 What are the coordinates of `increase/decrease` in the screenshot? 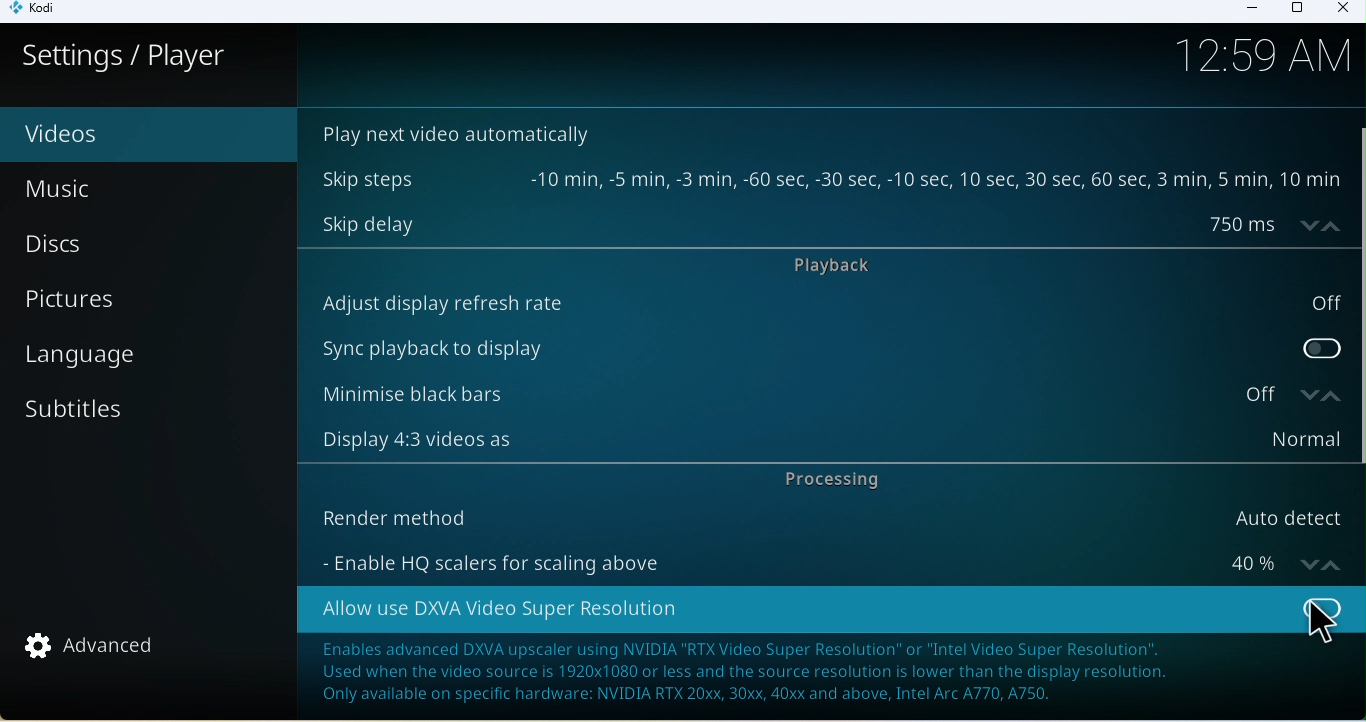 It's located at (1318, 396).